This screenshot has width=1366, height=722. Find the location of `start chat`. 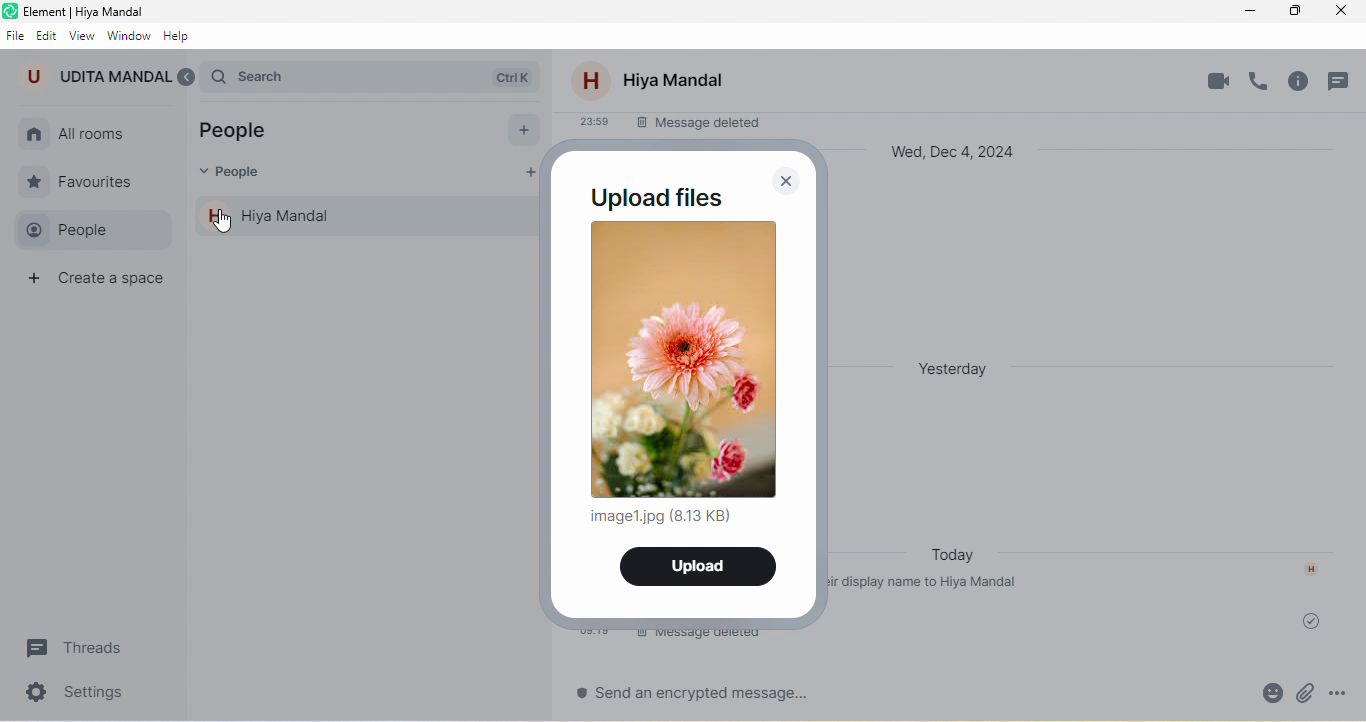

start chat is located at coordinates (522, 130).